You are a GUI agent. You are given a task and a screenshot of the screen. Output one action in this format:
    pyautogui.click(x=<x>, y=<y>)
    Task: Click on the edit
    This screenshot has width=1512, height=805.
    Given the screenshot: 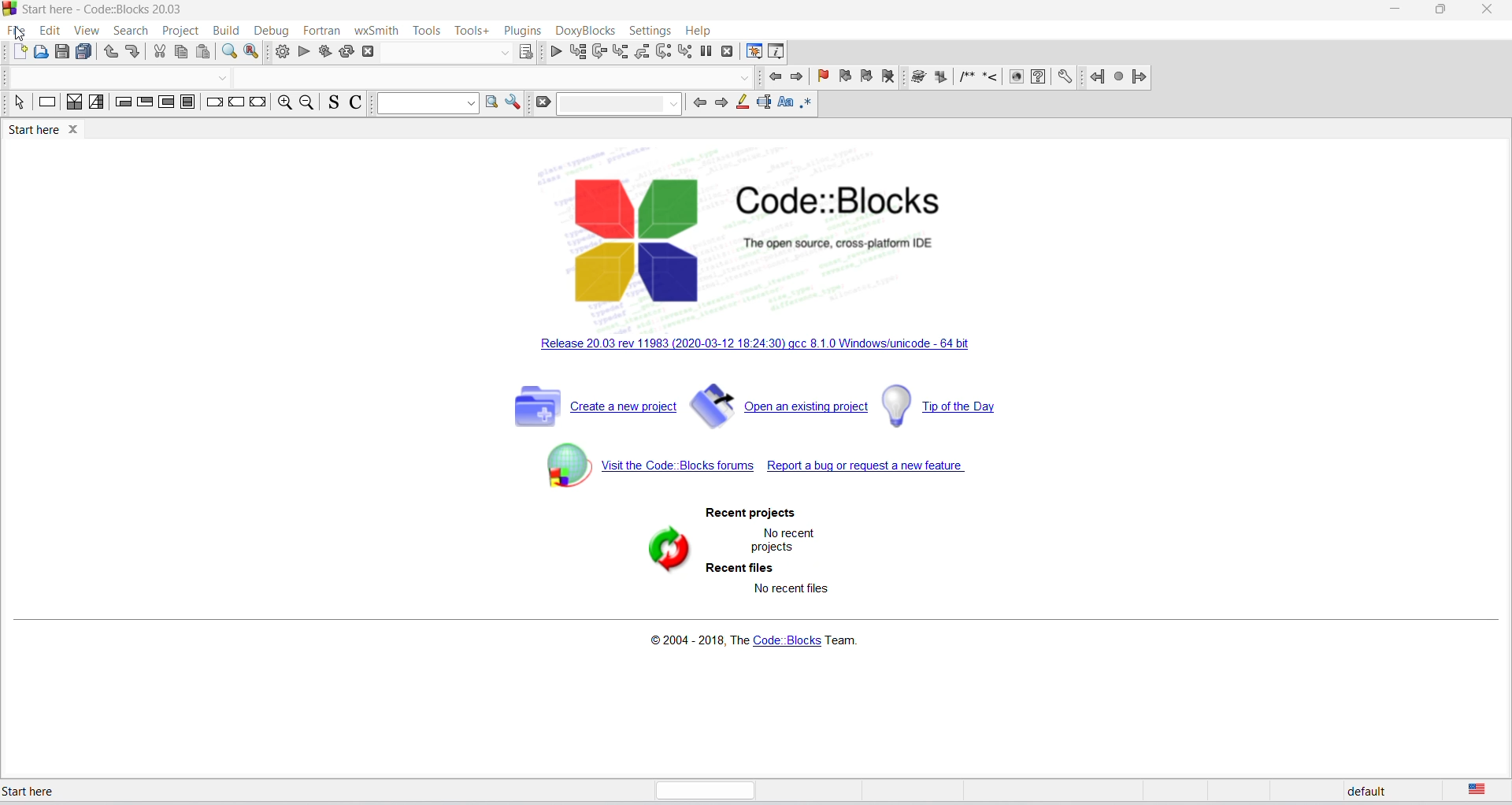 What is the action you would take?
    pyautogui.click(x=50, y=30)
    